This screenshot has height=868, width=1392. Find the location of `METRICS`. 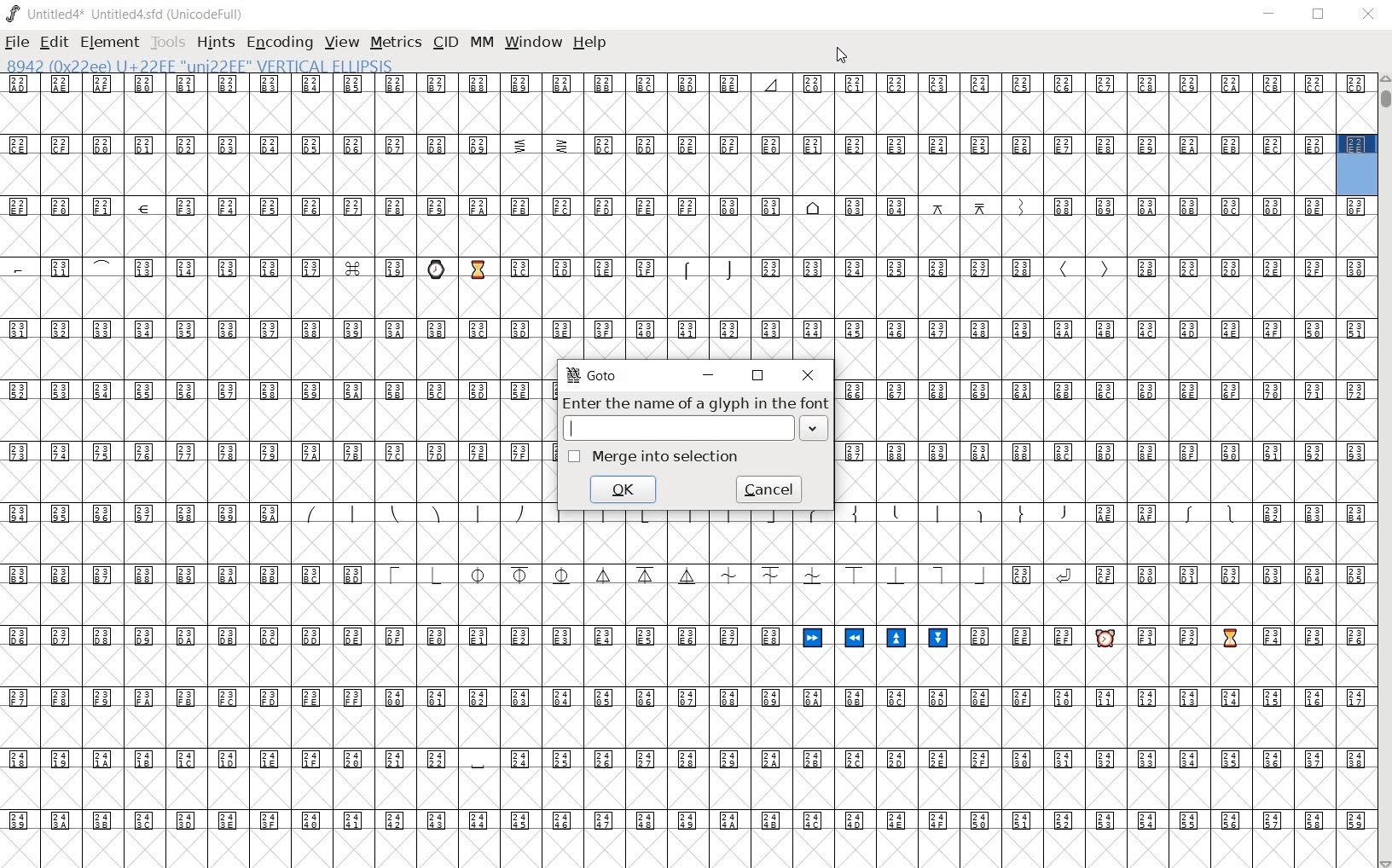

METRICS is located at coordinates (395, 42).